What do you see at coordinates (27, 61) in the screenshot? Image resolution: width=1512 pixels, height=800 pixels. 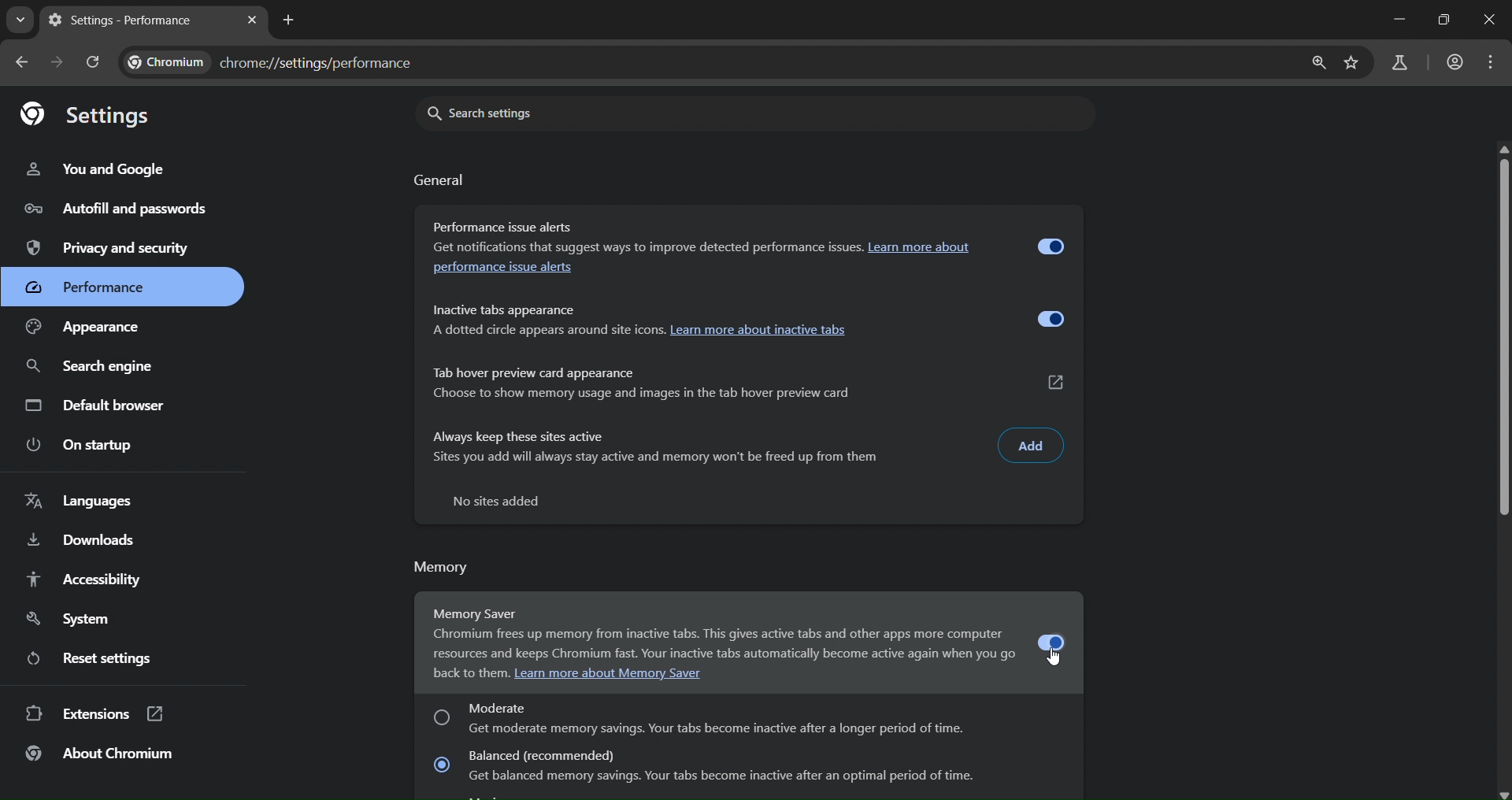 I see `go back one page` at bounding box center [27, 61].